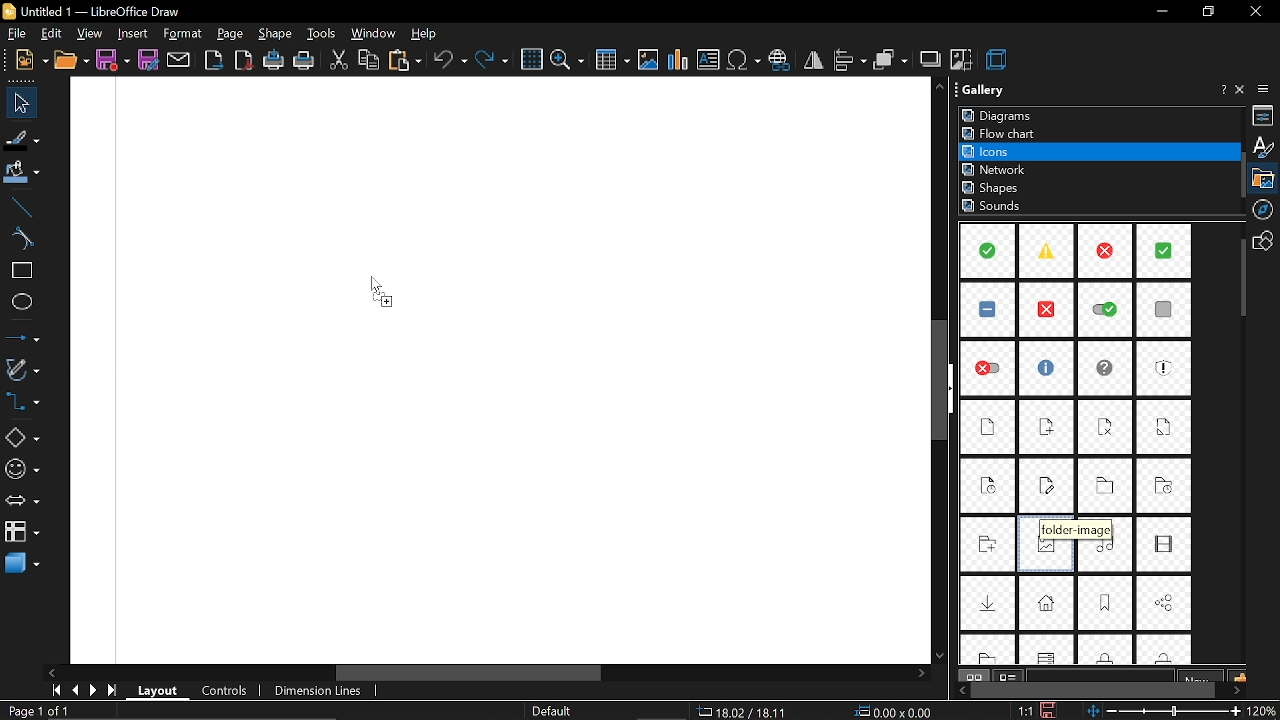 The width and height of the screenshot is (1280, 720). Describe the element at coordinates (449, 61) in the screenshot. I see `undo` at that location.